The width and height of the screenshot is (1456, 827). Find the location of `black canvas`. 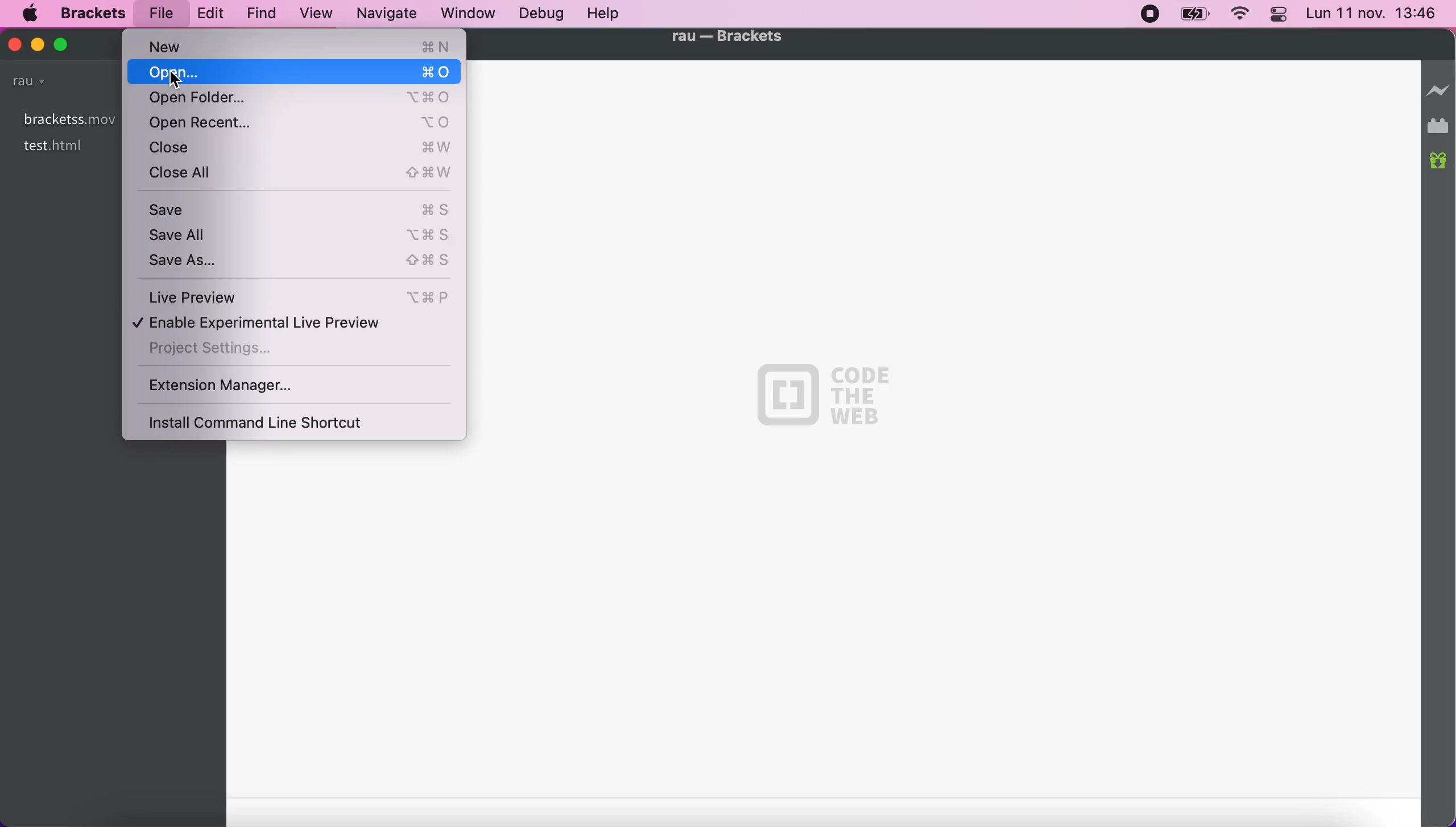

black canvas is located at coordinates (948, 441).